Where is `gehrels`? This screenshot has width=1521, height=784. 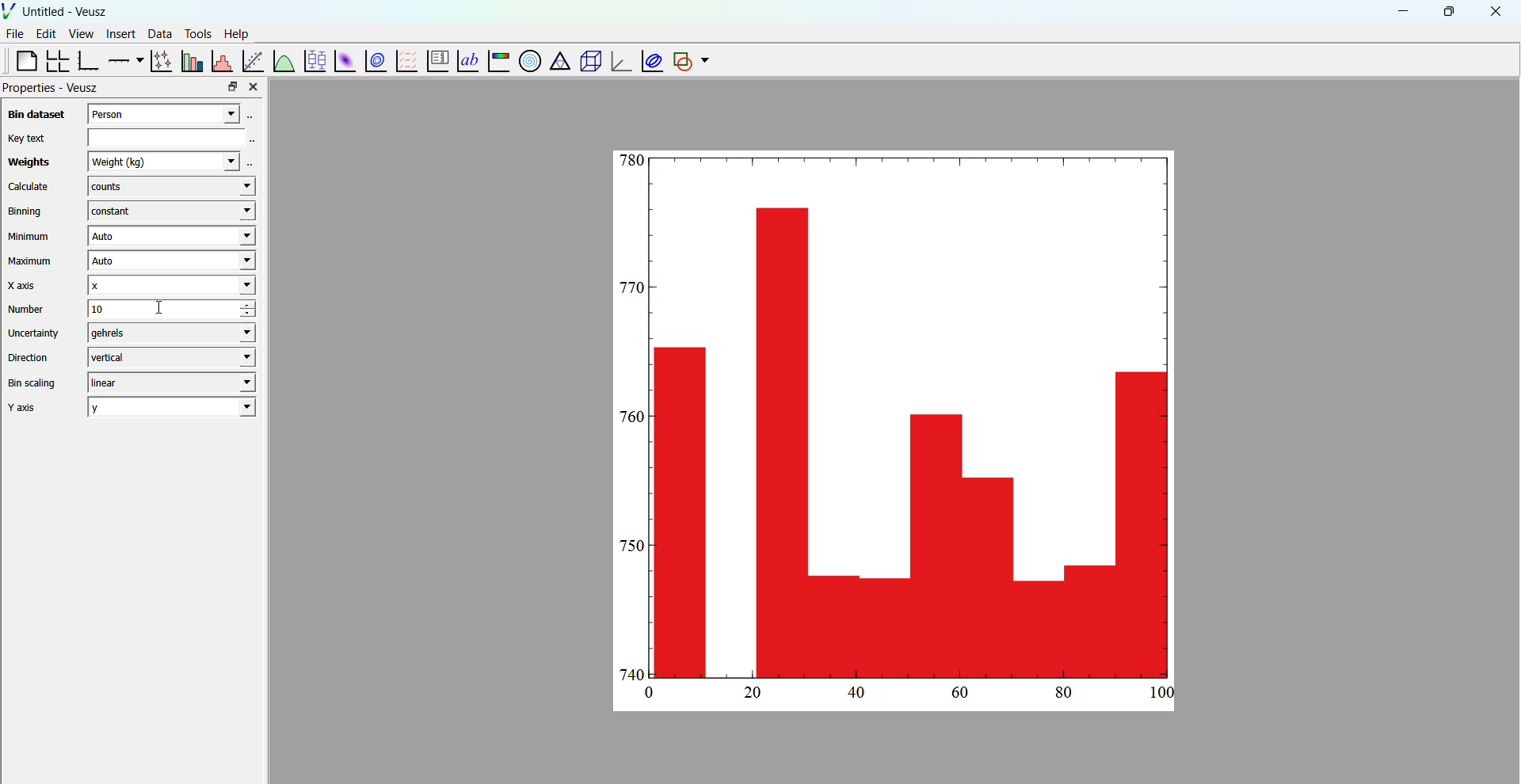
gehrels is located at coordinates (168, 333).